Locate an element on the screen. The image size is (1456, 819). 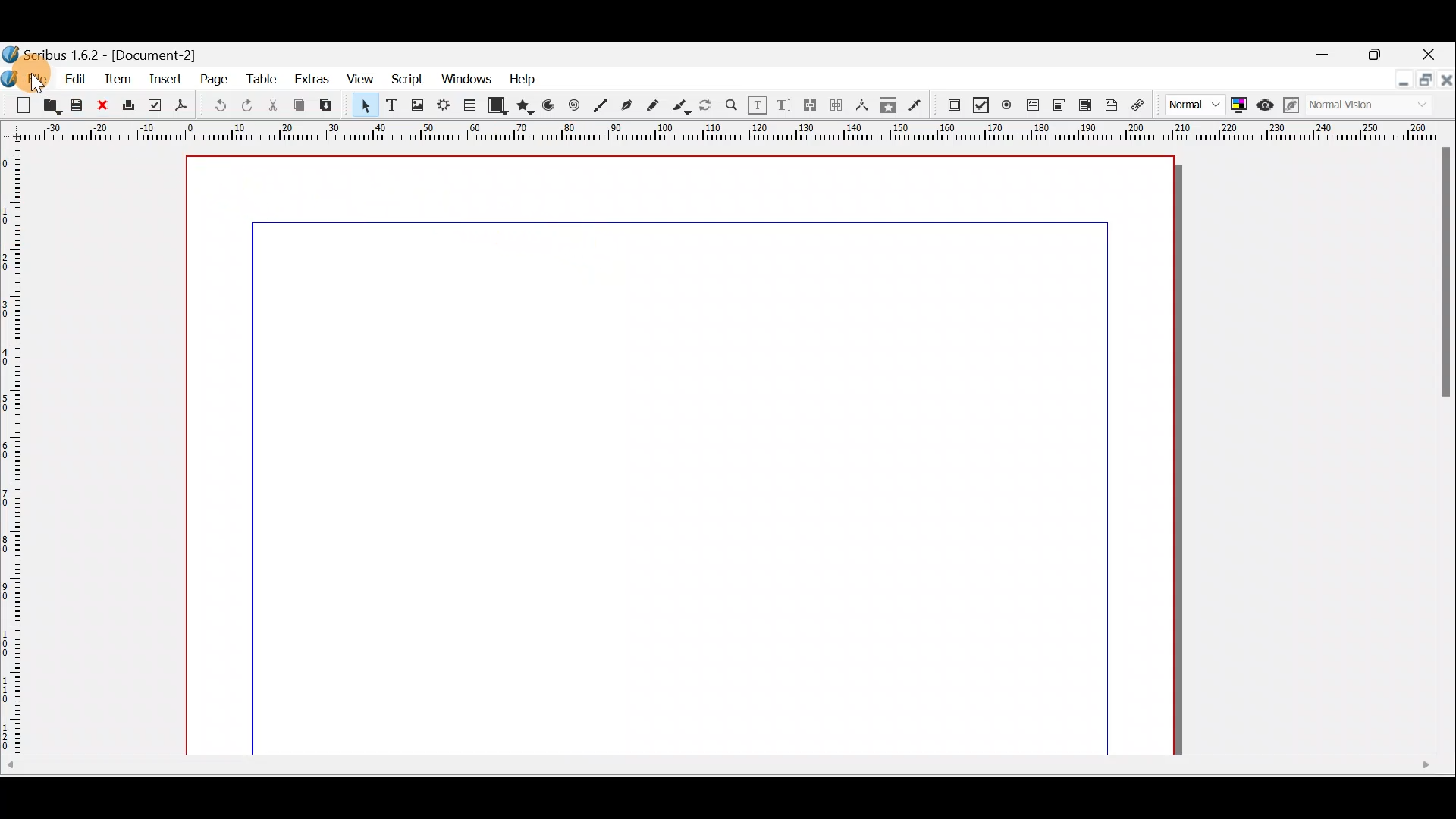
Copy item properties is located at coordinates (889, 104).